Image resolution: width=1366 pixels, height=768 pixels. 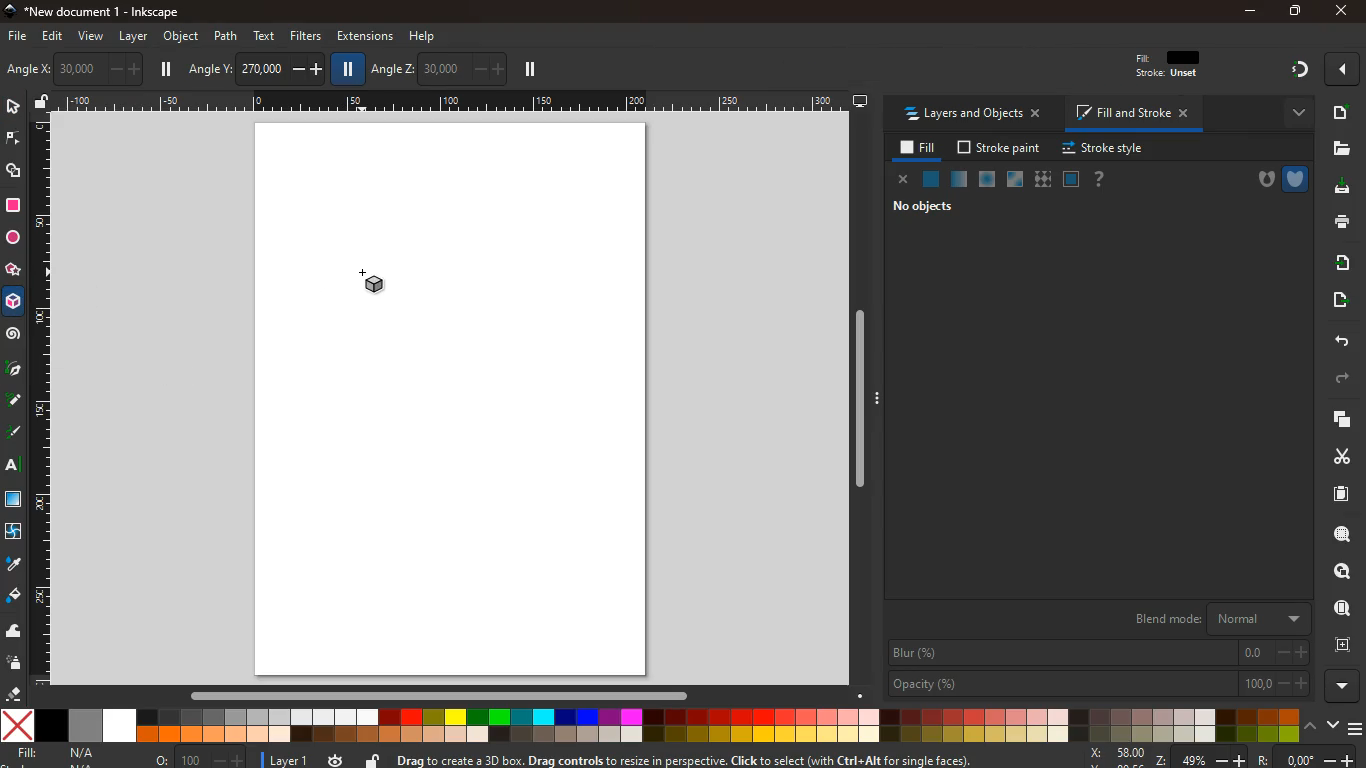 What do you see at coordinates (13, 531) in the screenshot?
I see `twist` at bounding box center [13, 531].